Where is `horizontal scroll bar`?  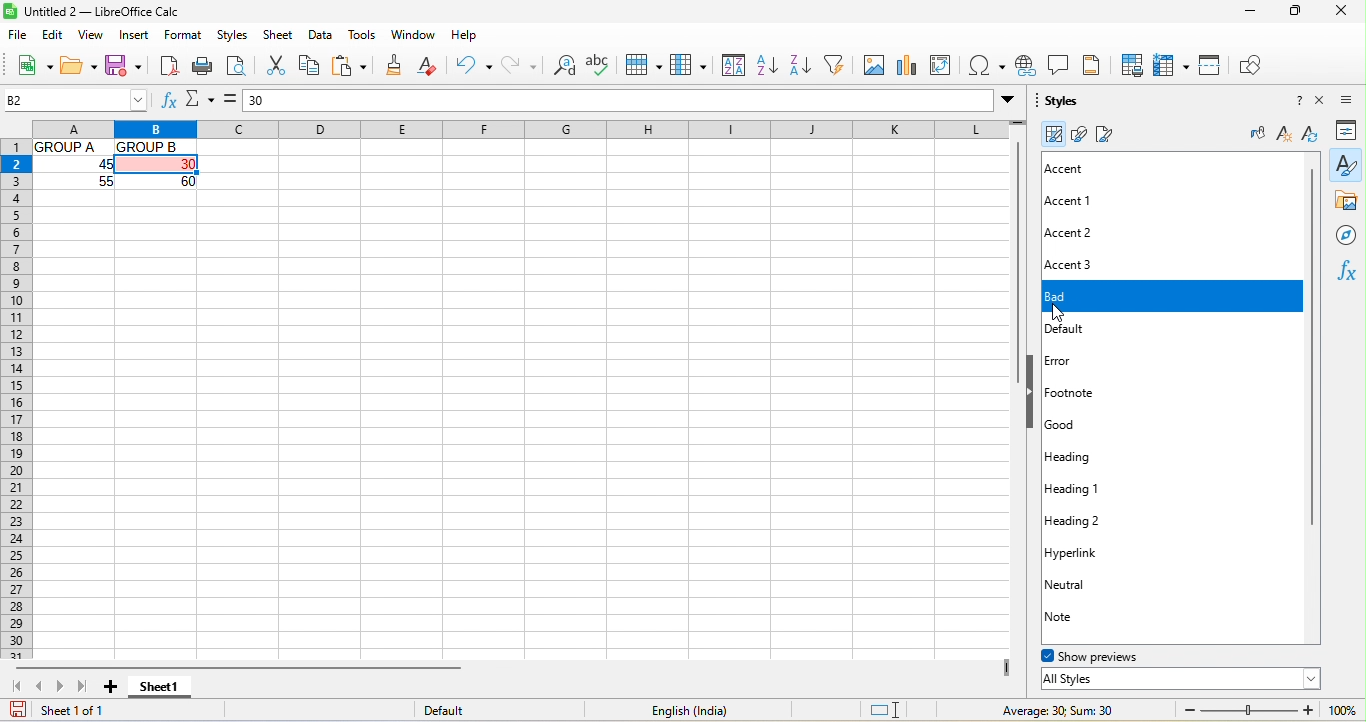 horizontal scroll bar is located at coordinates (310, 667).